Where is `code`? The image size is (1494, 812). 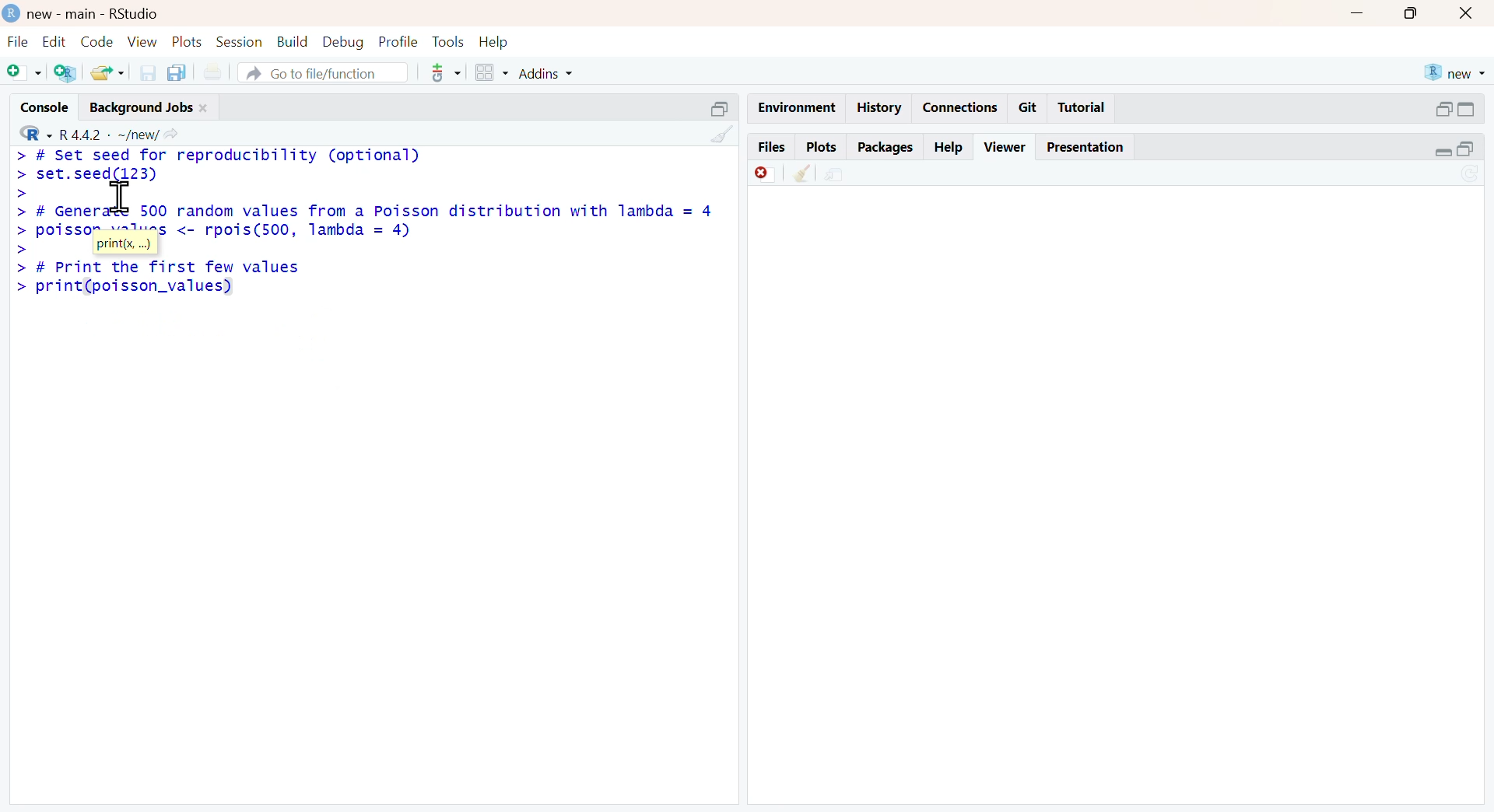
code is located at coordinates (97, 41).